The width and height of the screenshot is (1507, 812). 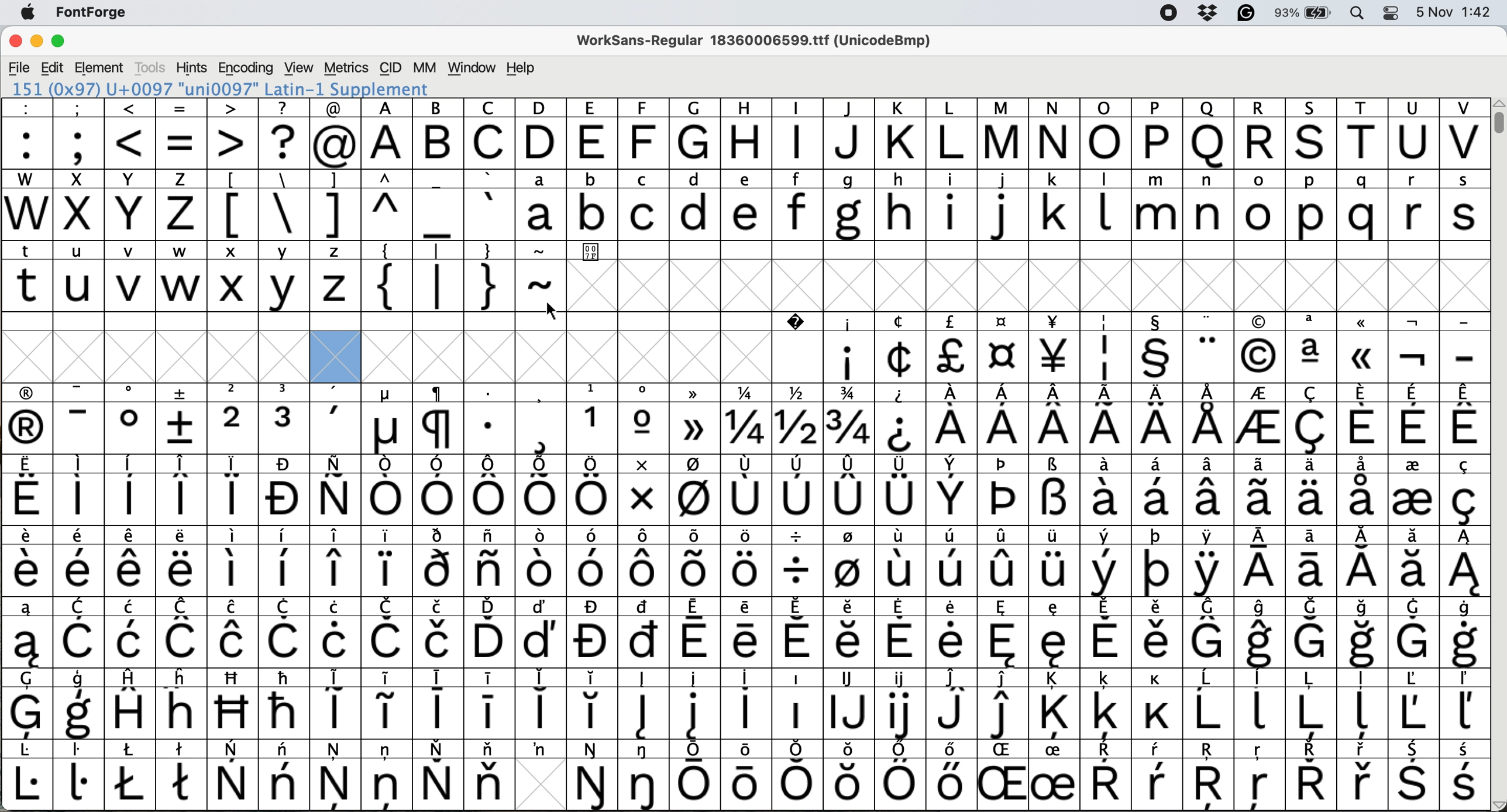 What do you see at coordinates (234, 703) in the screenshot?
I see `` at bounding box center [234, 703].